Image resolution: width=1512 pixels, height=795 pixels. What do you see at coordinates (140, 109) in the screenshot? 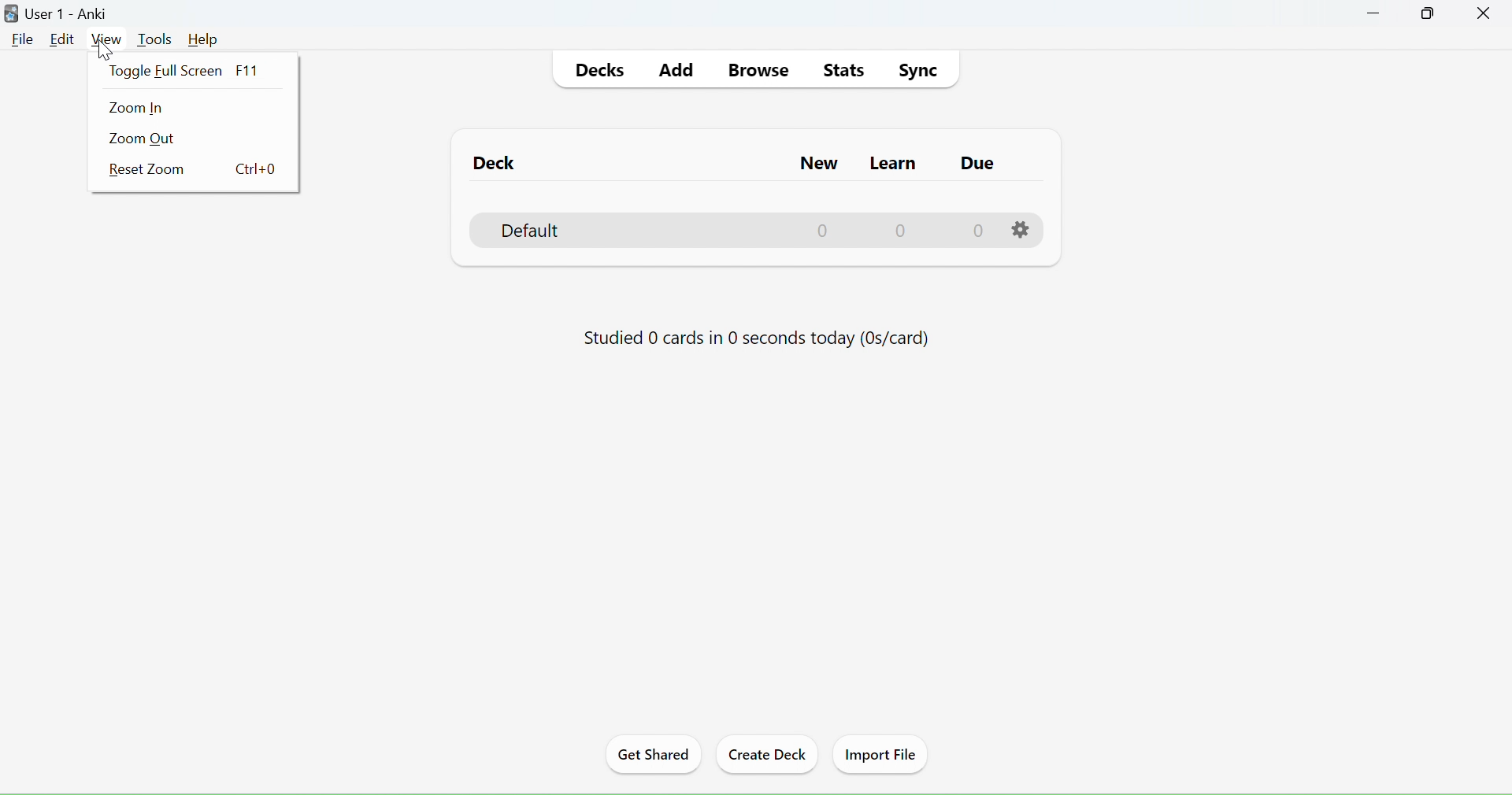
I see `zoom in` at bounding box center [140, 109].